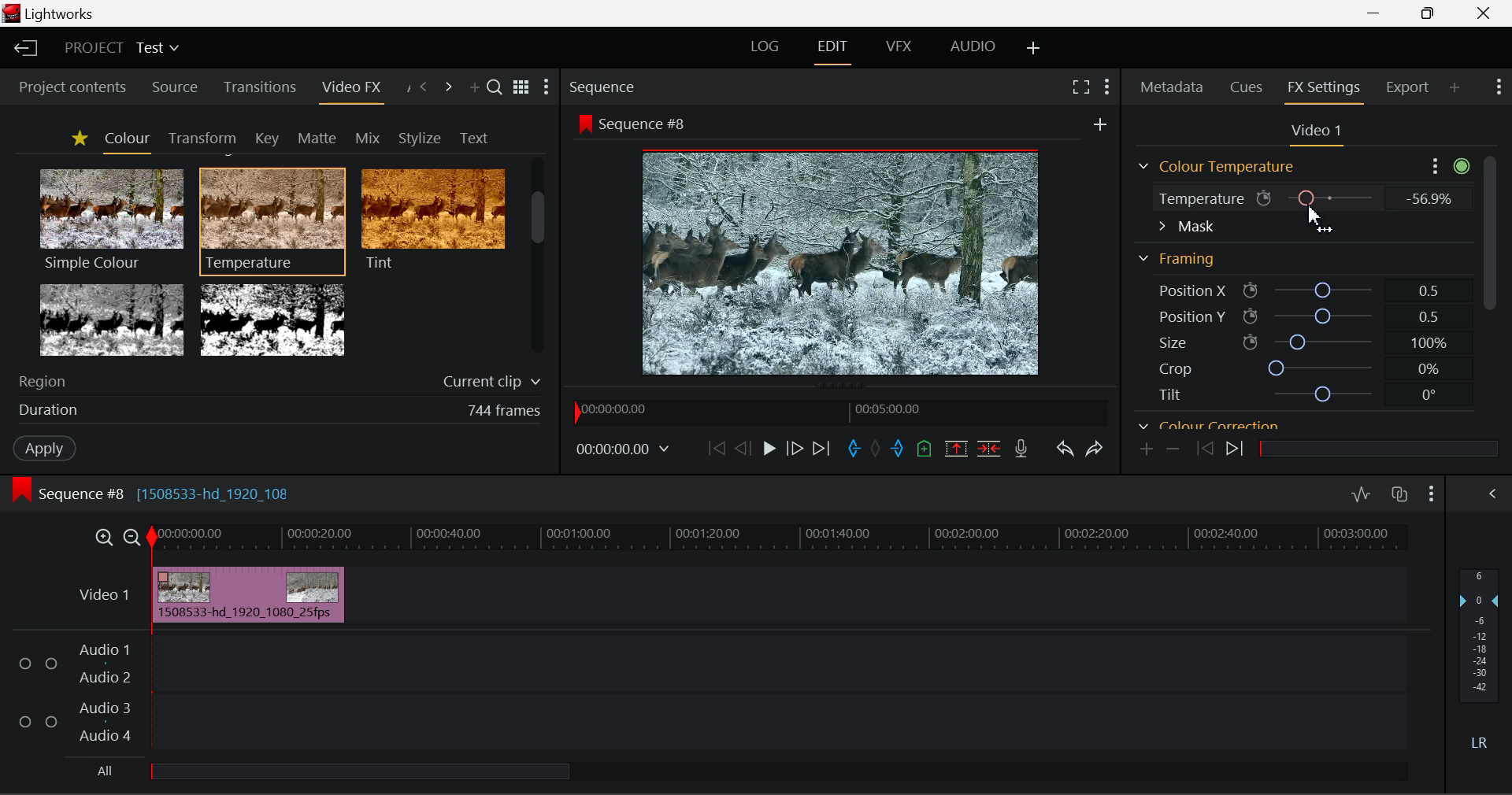 The width and height of the screenshot is (1512, 795). Describe the element at coordinates (1021, 447) in the screenshot. I see `Record Voiceover` at that location.